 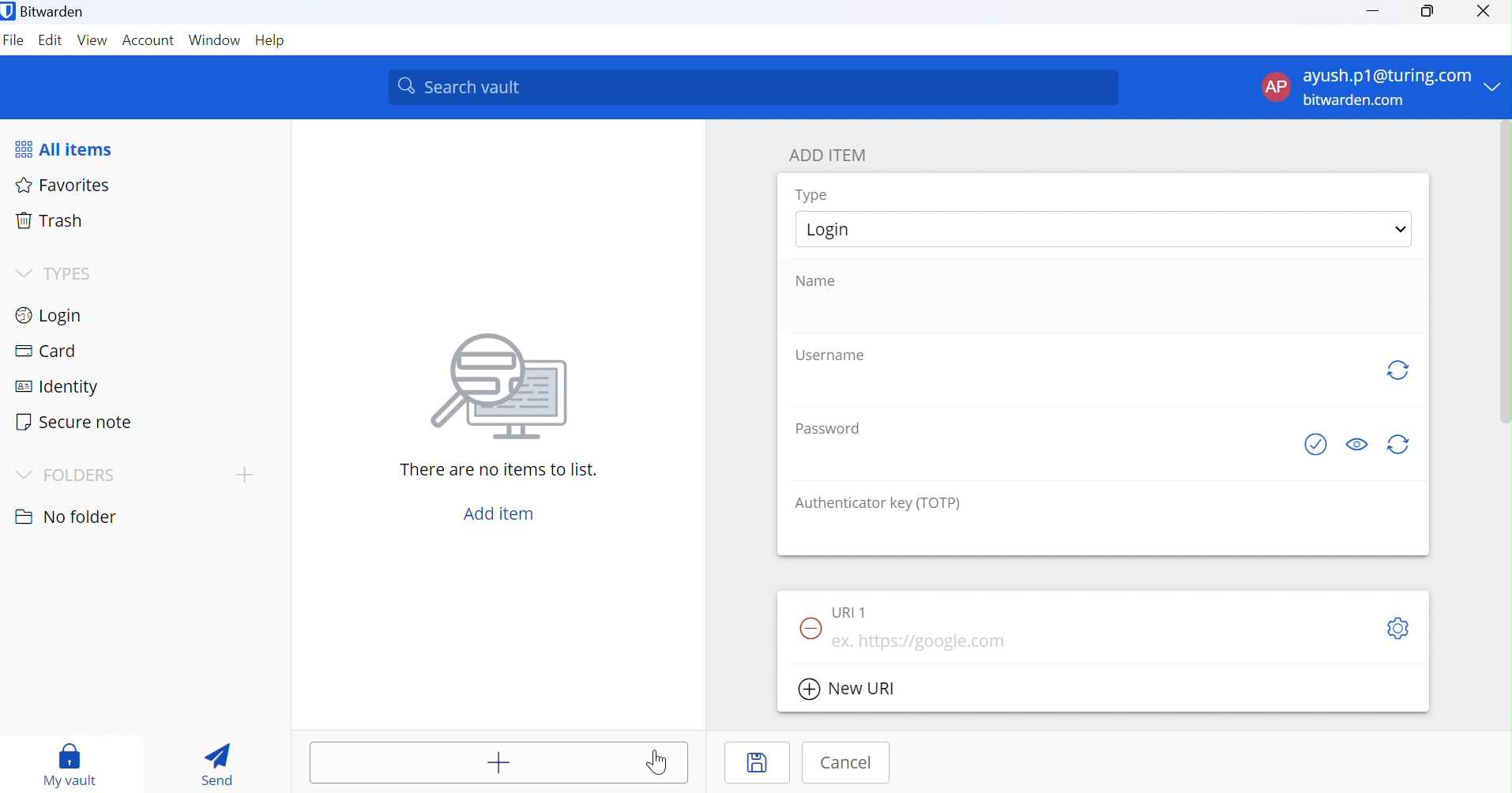 What do you see at coordinates (1380, 88) in the screenshot?
I see `account menu` at bounding box center [1380, 88].